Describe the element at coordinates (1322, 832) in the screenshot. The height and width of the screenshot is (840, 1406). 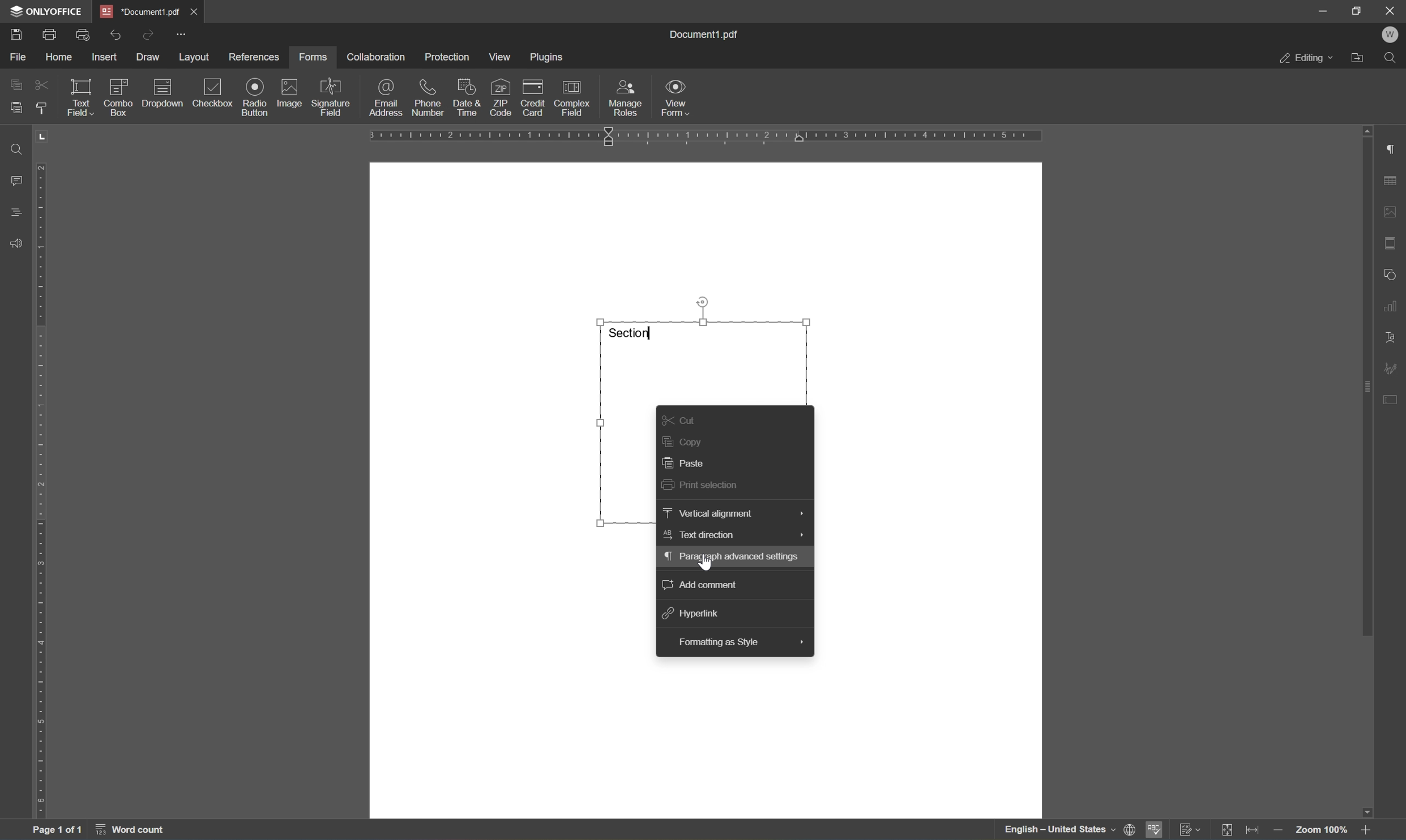
I see `zoom 100%` at that location.